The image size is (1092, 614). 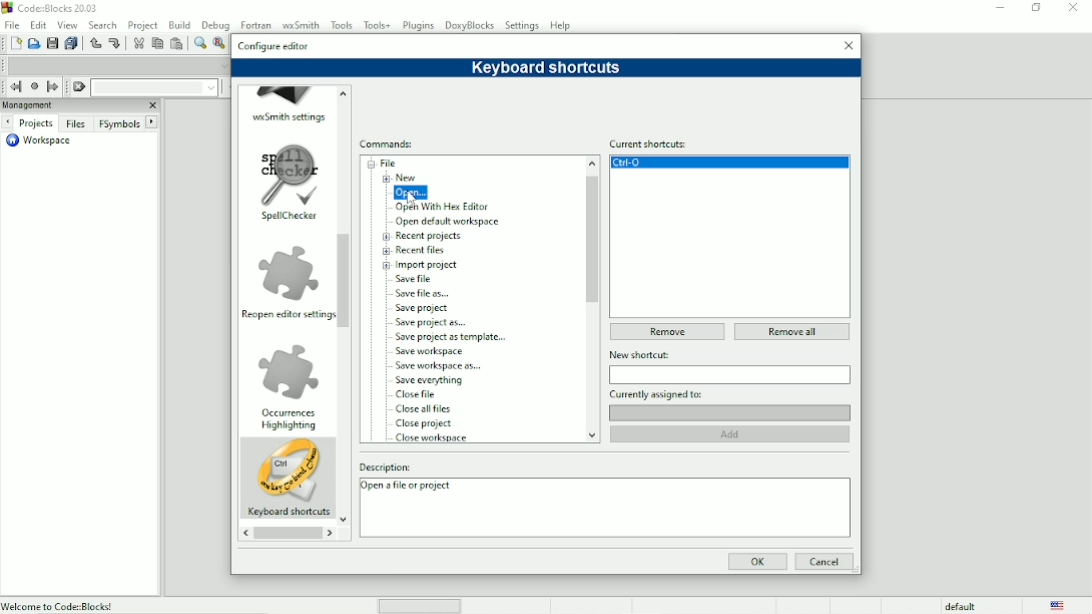 I want to click on Cut, so click(x=138, y=44).